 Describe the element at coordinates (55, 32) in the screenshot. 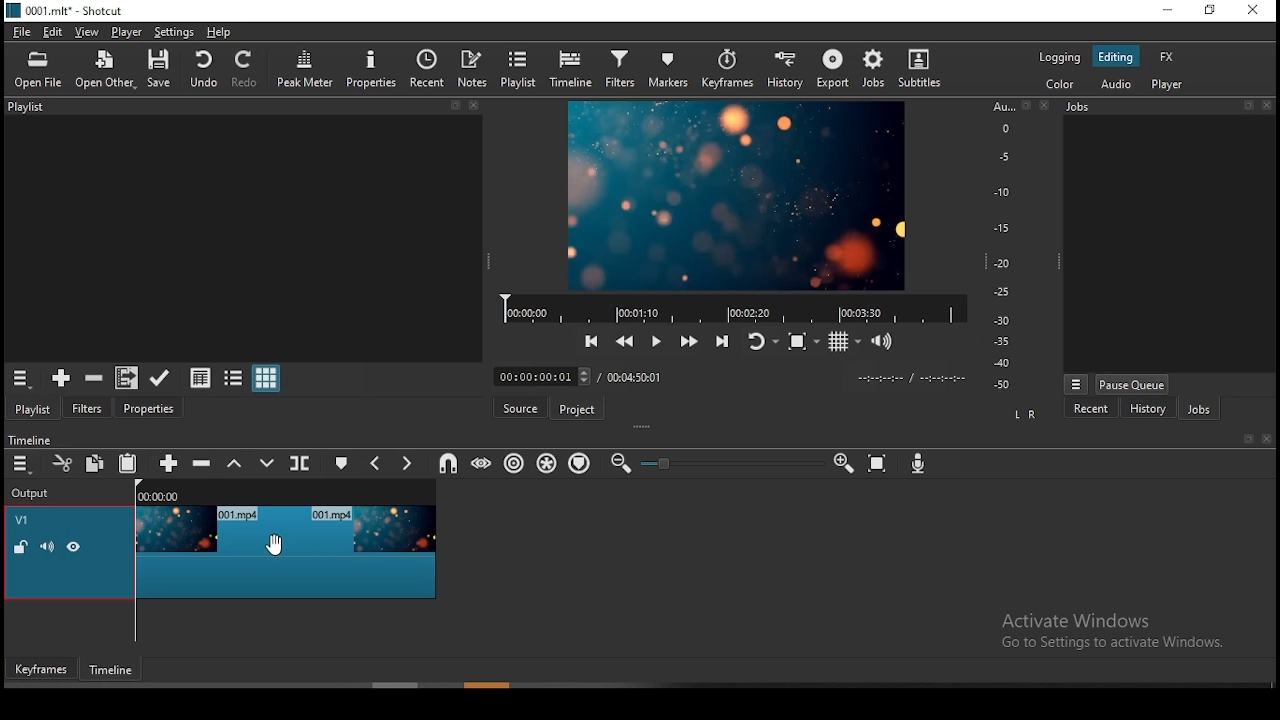

I see `edit` at that location.